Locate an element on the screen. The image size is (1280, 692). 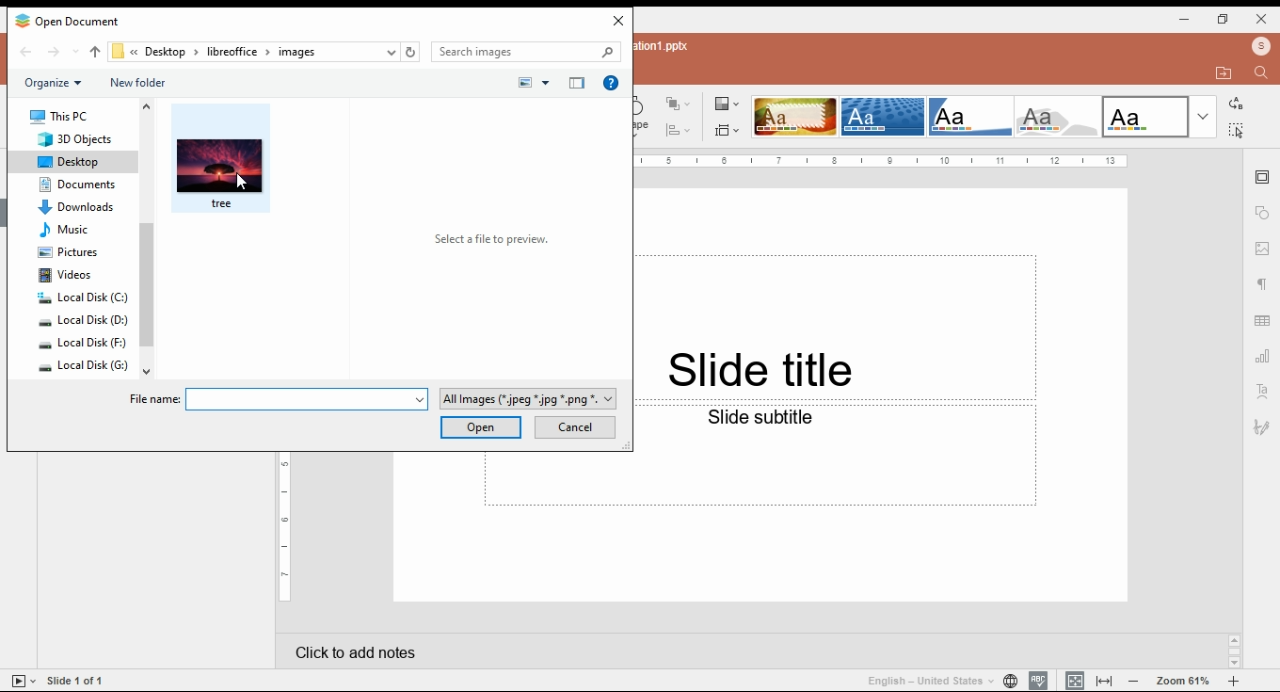
theme 2 is located at coordinates (881, 117).